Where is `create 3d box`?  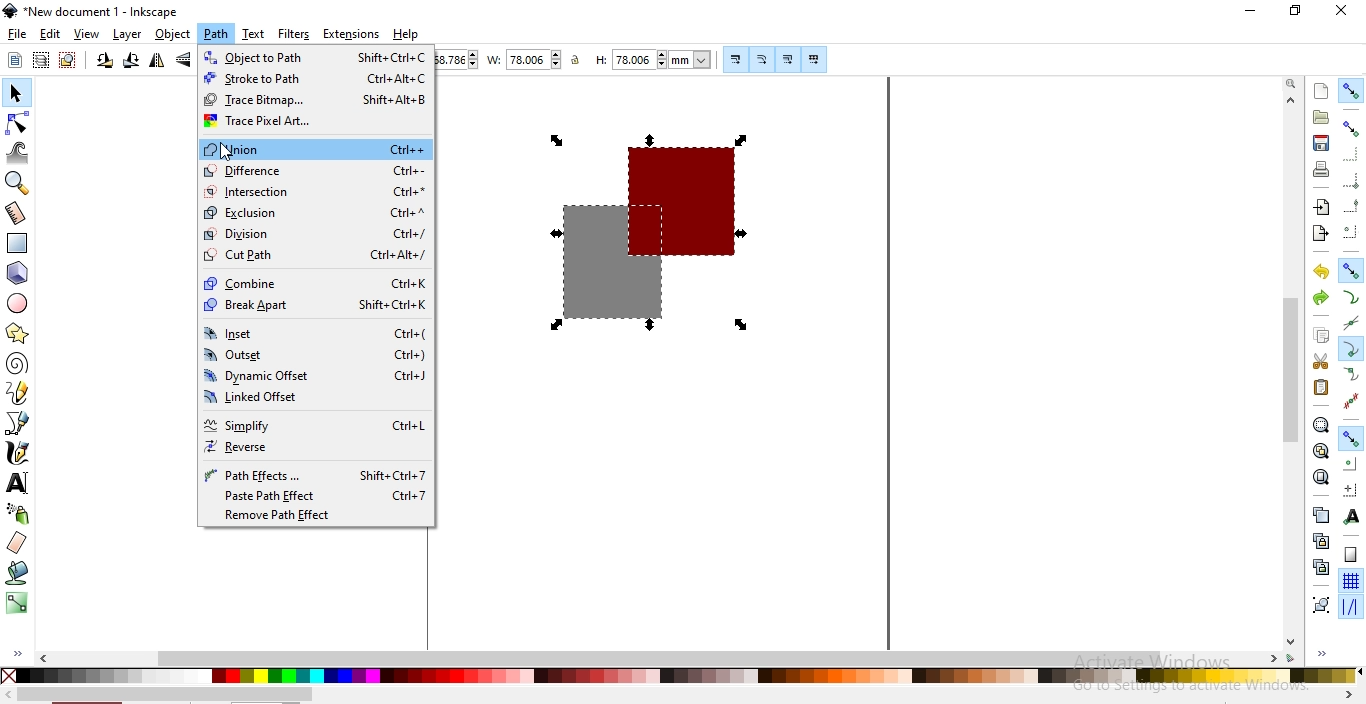
create 3d box is located at coordinates (20, 273).